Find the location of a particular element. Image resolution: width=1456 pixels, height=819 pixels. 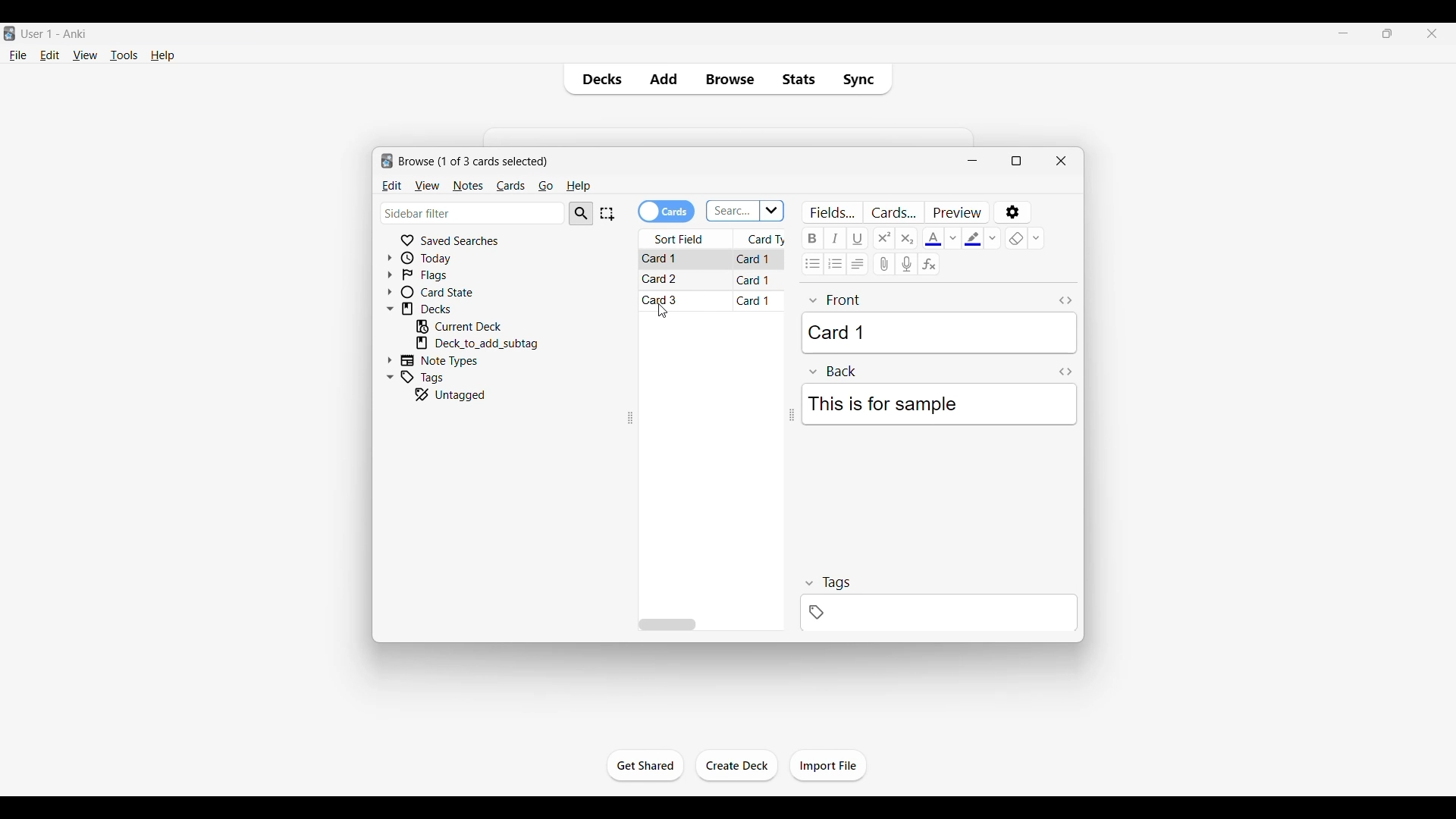

Unordered list is located at coordinates (812, 264).